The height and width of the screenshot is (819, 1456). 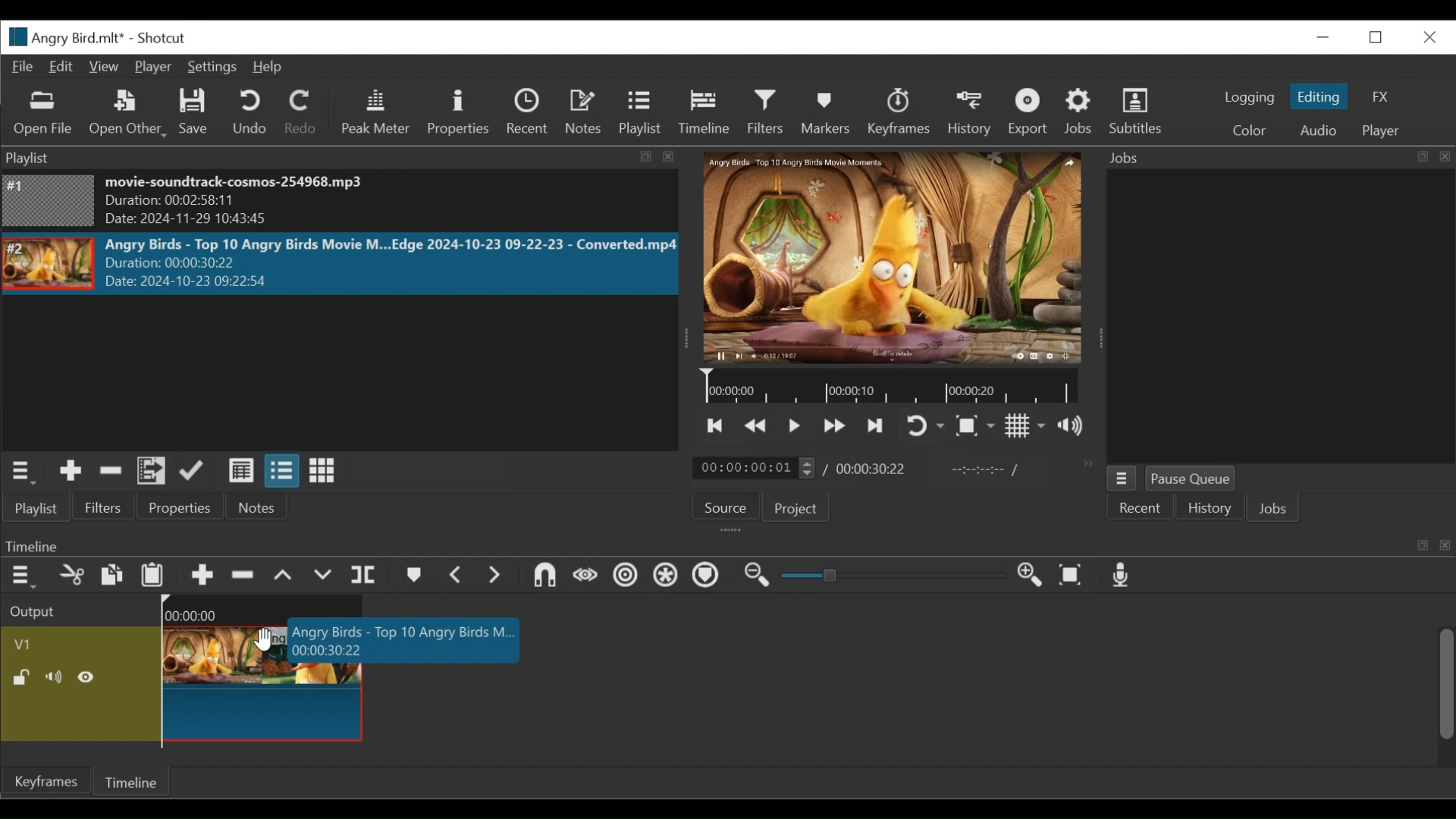 I want to click on Toggle play or pause, so click(x=795, y=426).